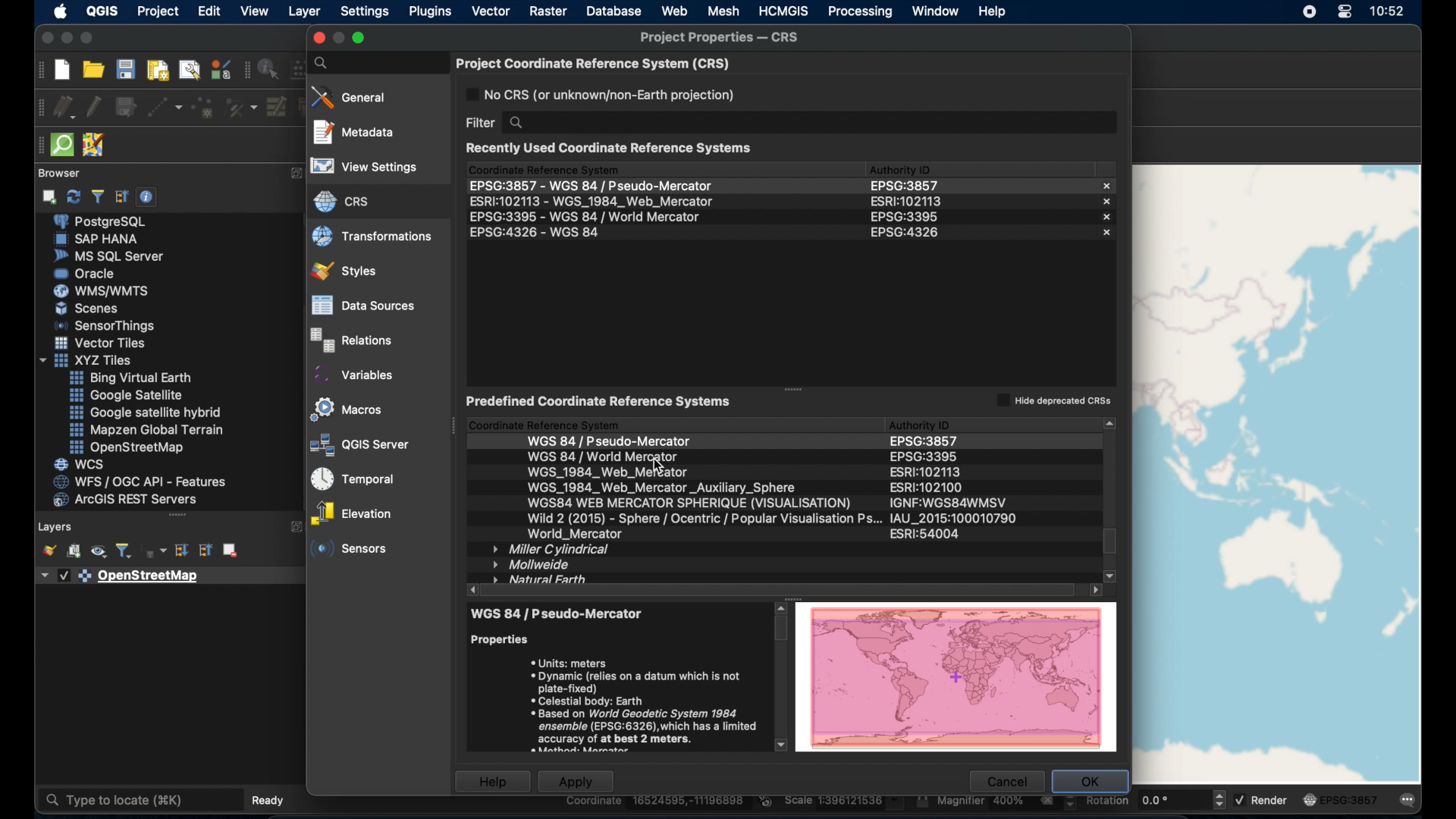 This screenshot has height=819, width=1456. Describe the element at coordinates (688, 504) in the screenshot. I see `wsg web mercator` at that location.